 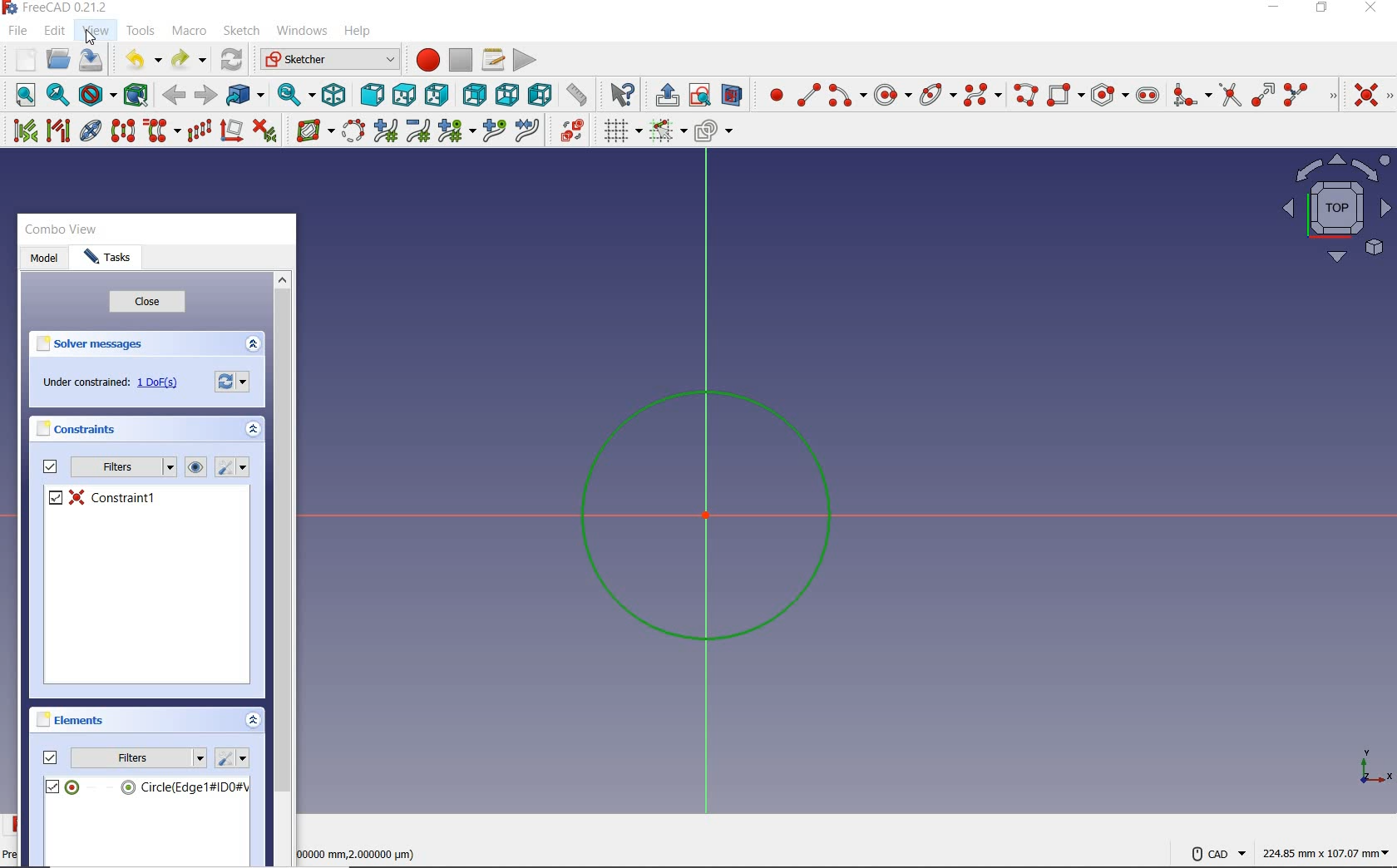 What do you see at coordinates (254, 722) in the screenshot?
I see `collapse` at bounding box center [254, 722].